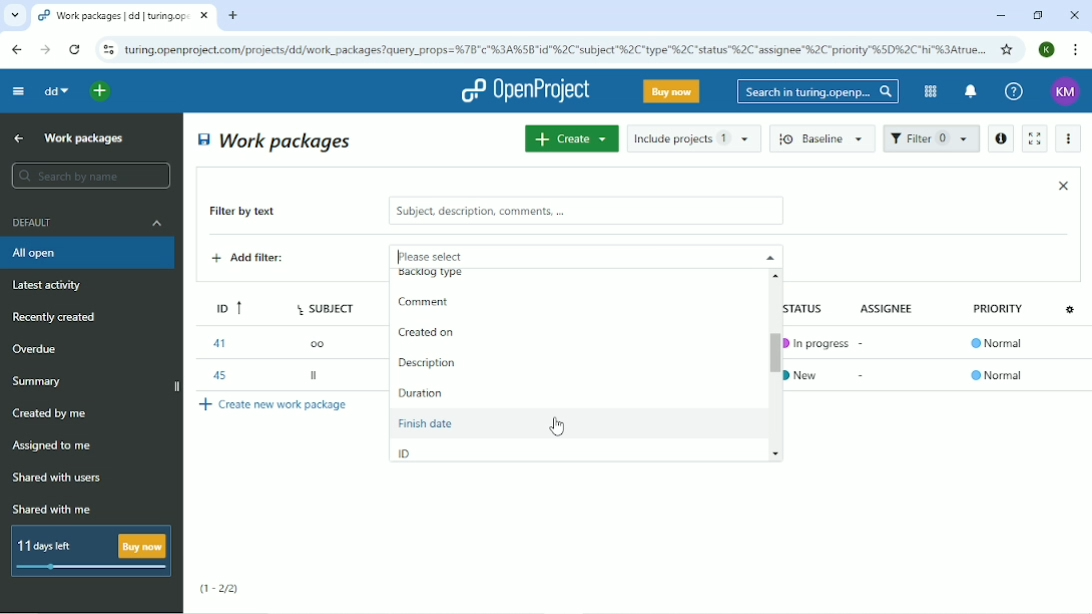 The height and width of the screenshot is (614, 1092). What do you see at coordinates (108, 50) in the screenshot?
I see `View site information` at bounding box center [108, 50].